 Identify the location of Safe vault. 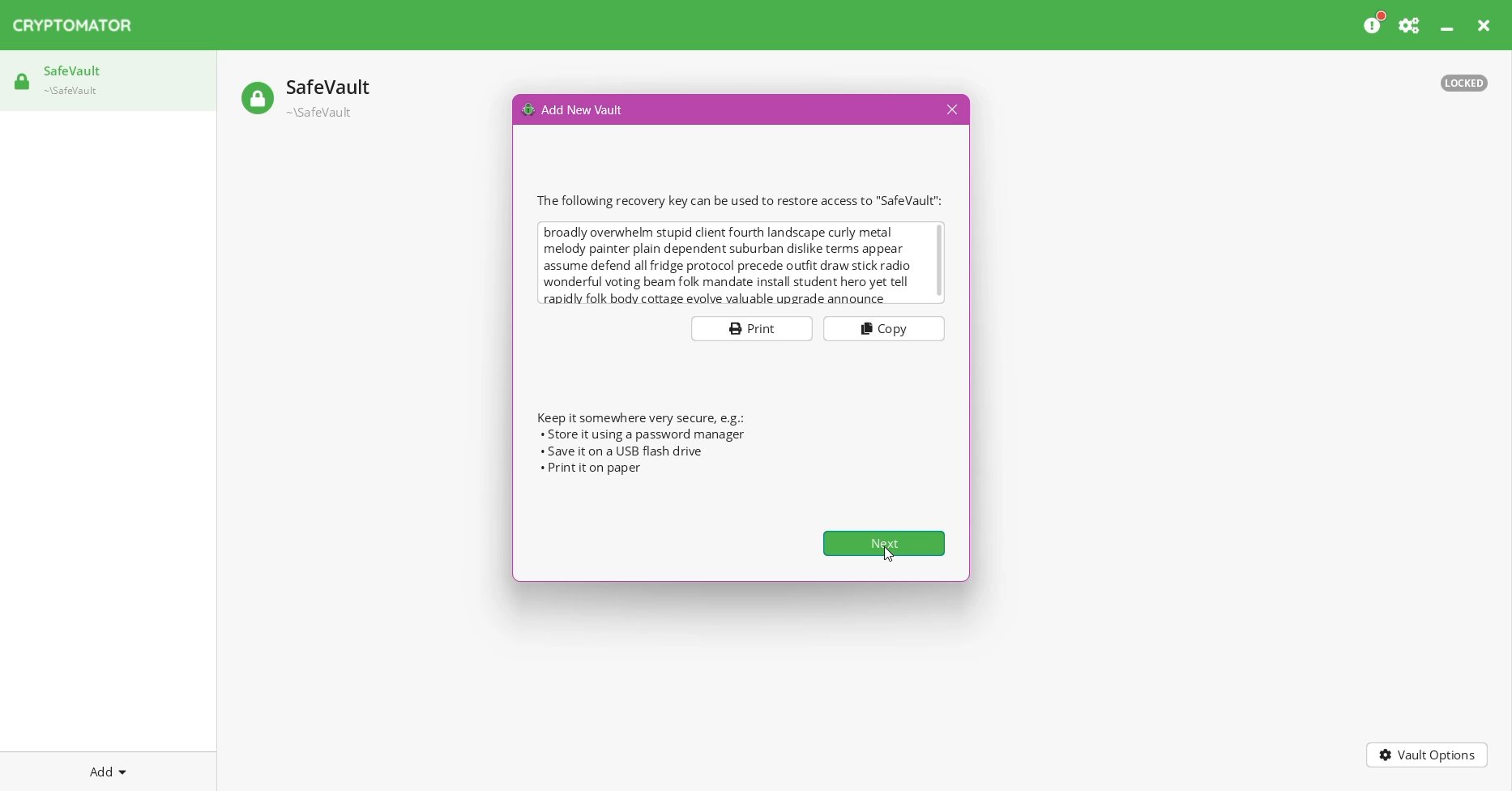
(307, 96).